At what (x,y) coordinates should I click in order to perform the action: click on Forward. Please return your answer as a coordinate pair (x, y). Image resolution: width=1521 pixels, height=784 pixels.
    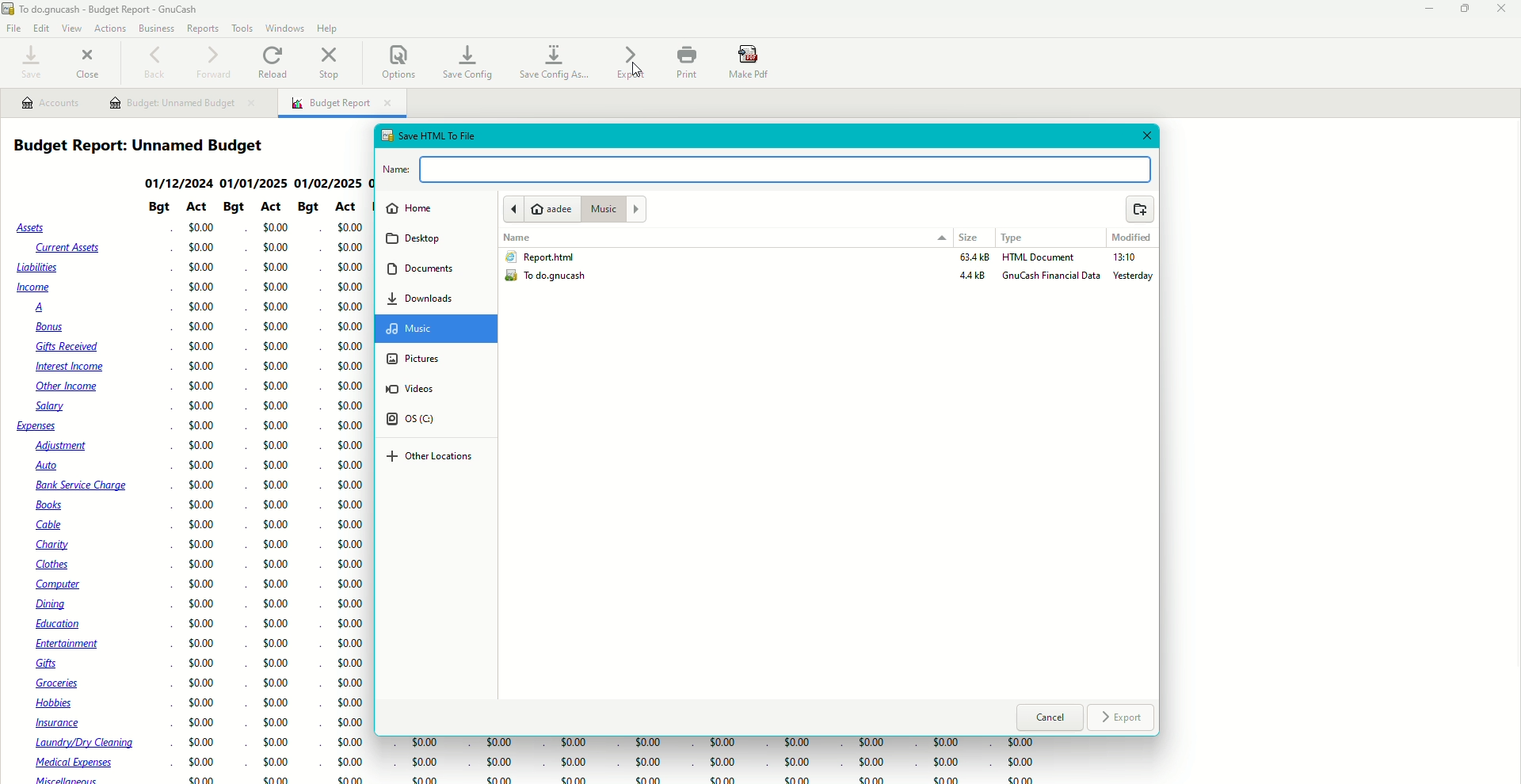
    Looking at the image, I should click on (213, 61).